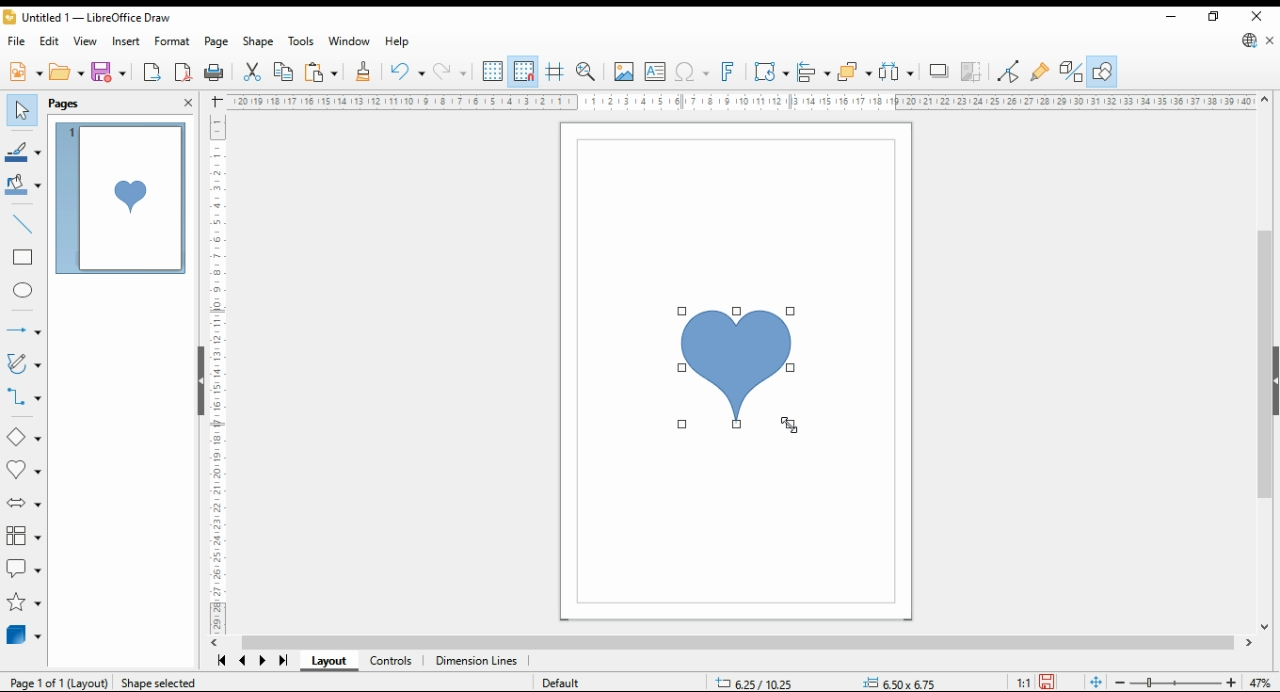  Describe the element at coordinates (23, 436) in the screenshot. I see `basic shapes` at that location.